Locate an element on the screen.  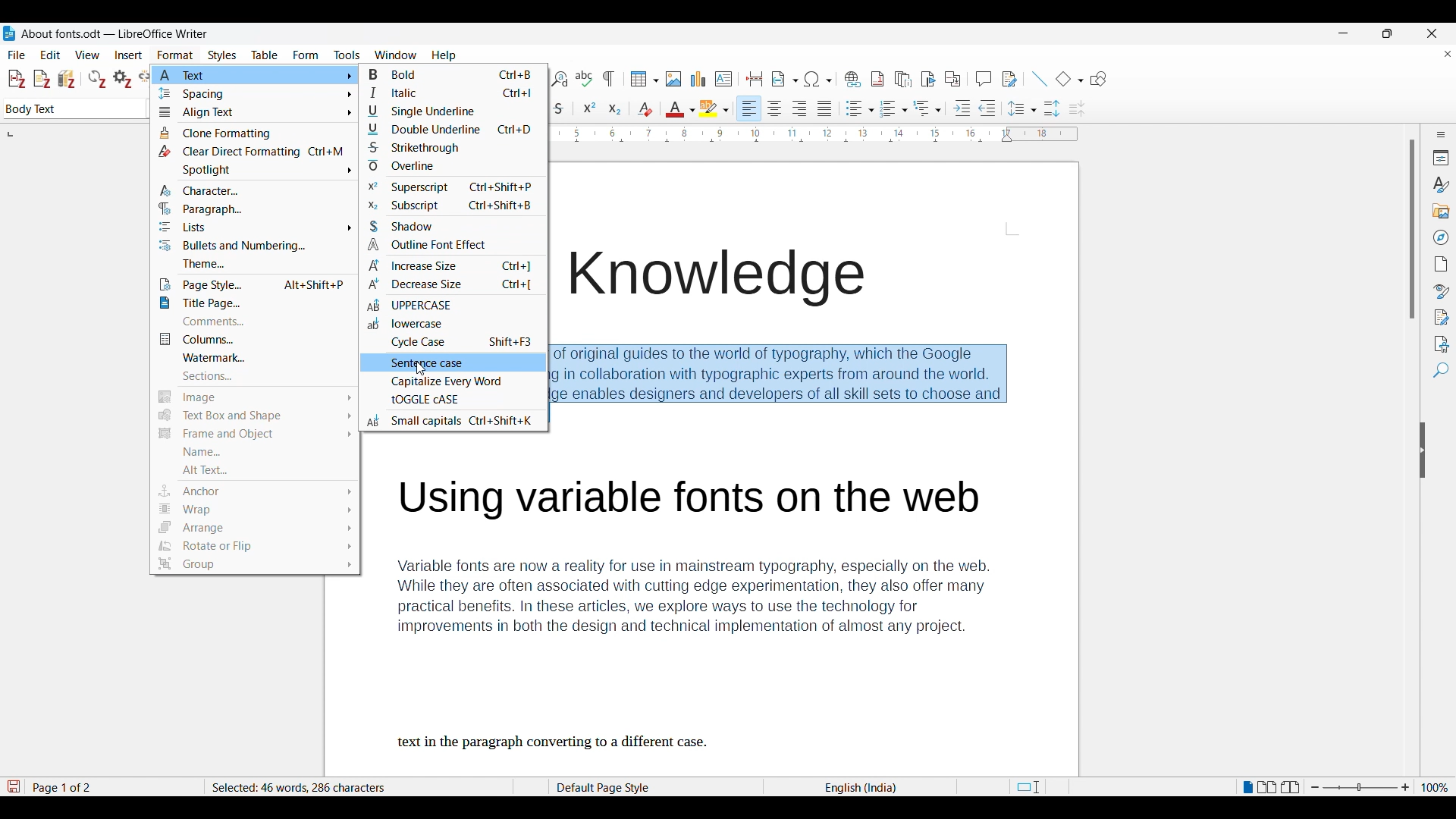
Single underline is located at coordinates (450, 111).